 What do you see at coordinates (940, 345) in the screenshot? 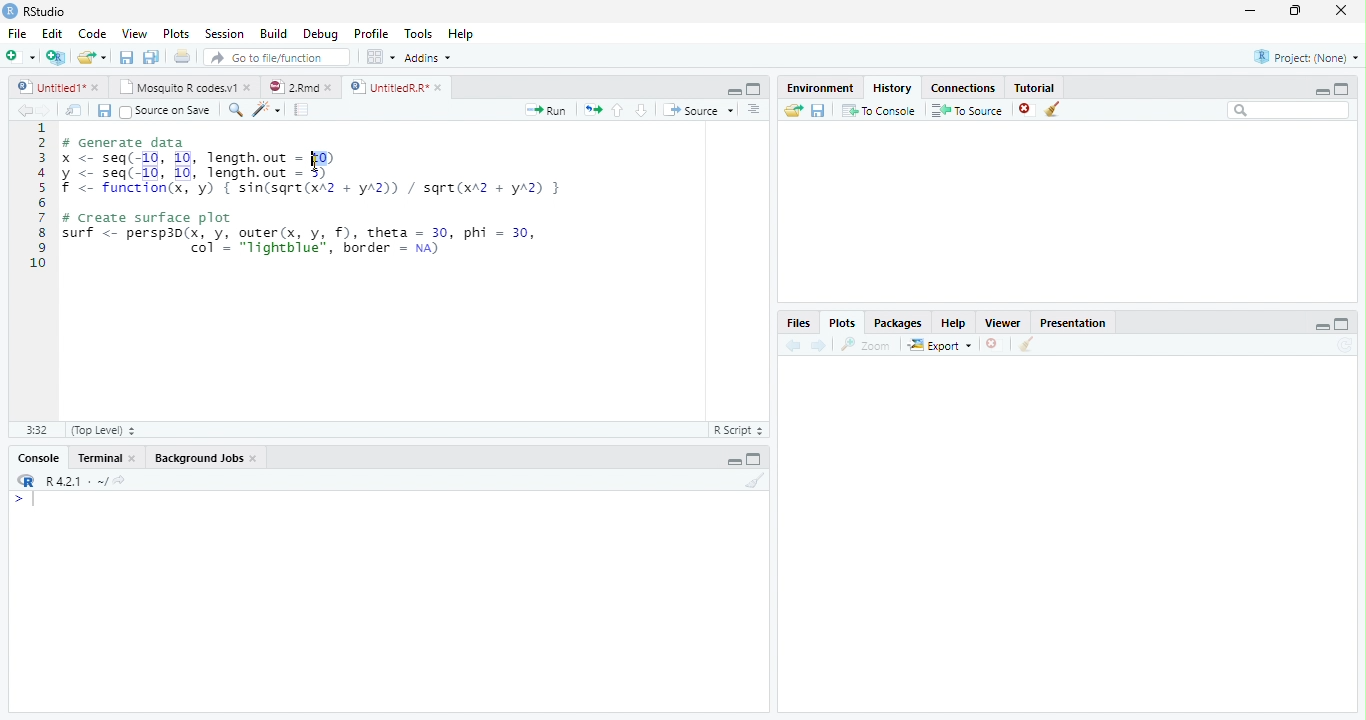
I see `Export` at bounding box center [940, 345].